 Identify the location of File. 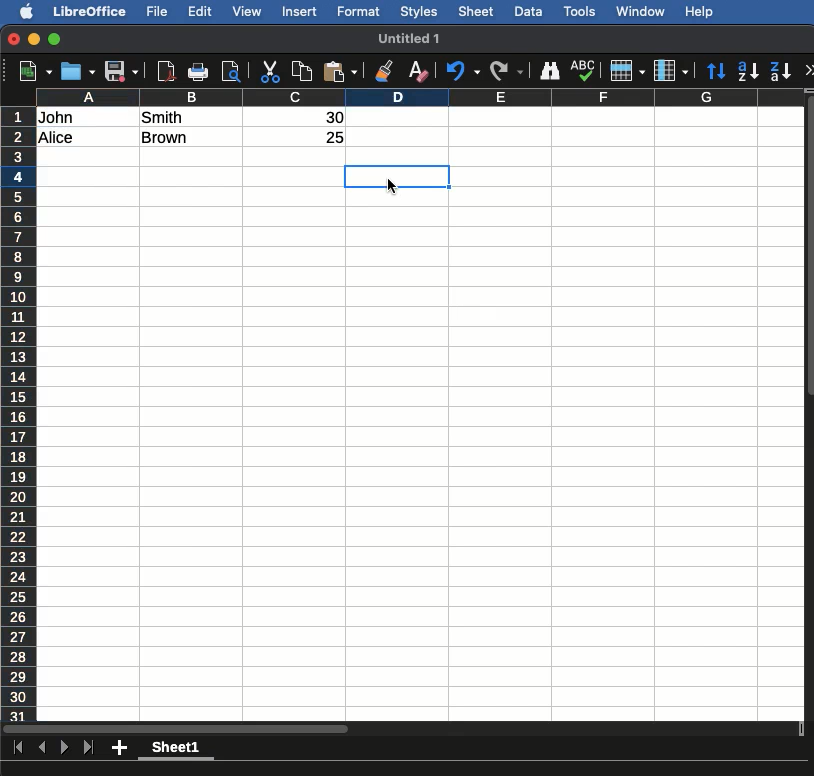
(158, 12).